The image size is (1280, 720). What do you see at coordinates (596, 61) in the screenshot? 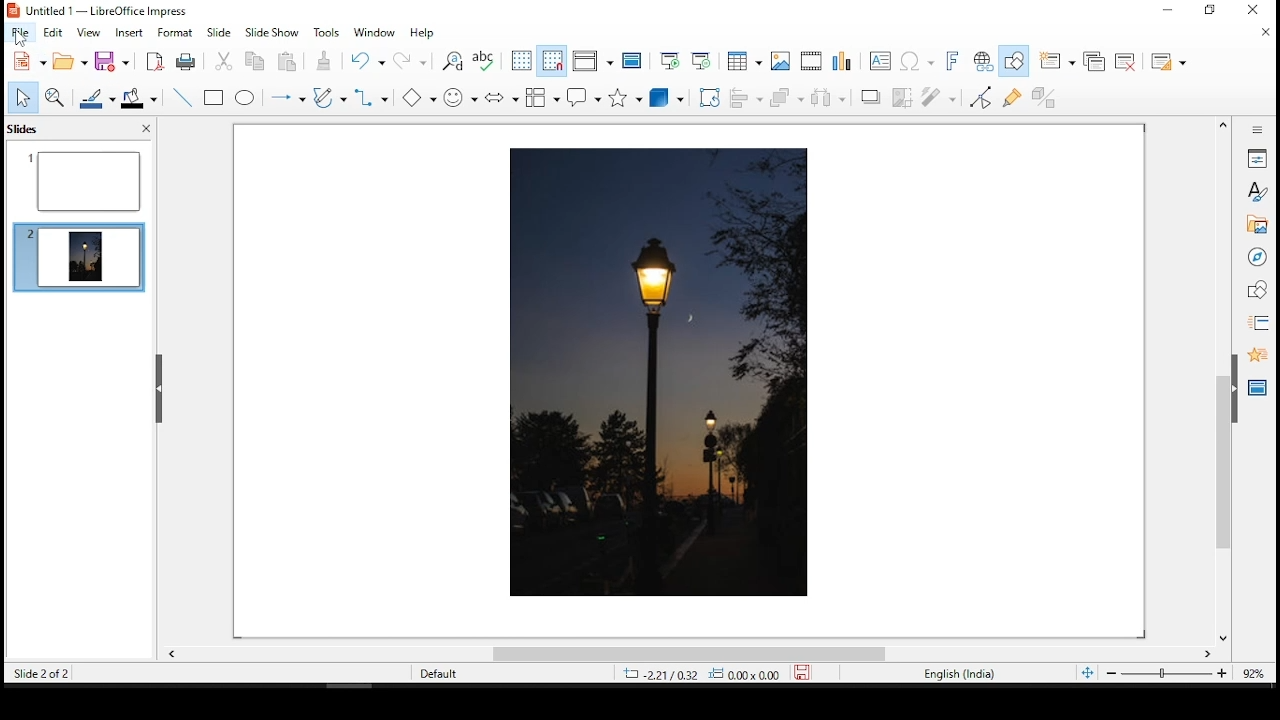
I see `display views` at bounding box center [596, 61].